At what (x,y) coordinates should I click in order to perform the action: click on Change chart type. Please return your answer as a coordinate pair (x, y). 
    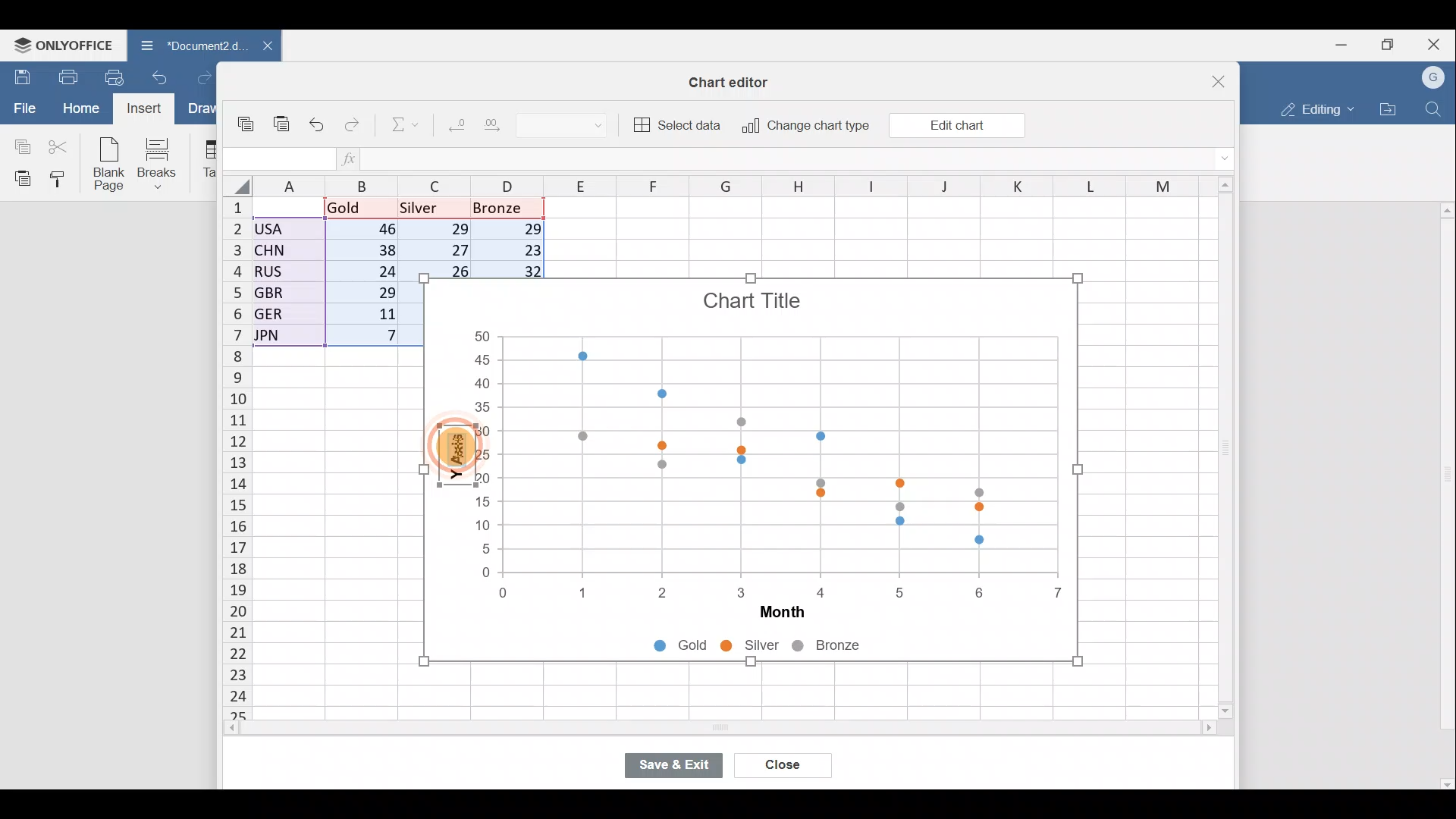
    Looking at the image, I should click on (805, 126).